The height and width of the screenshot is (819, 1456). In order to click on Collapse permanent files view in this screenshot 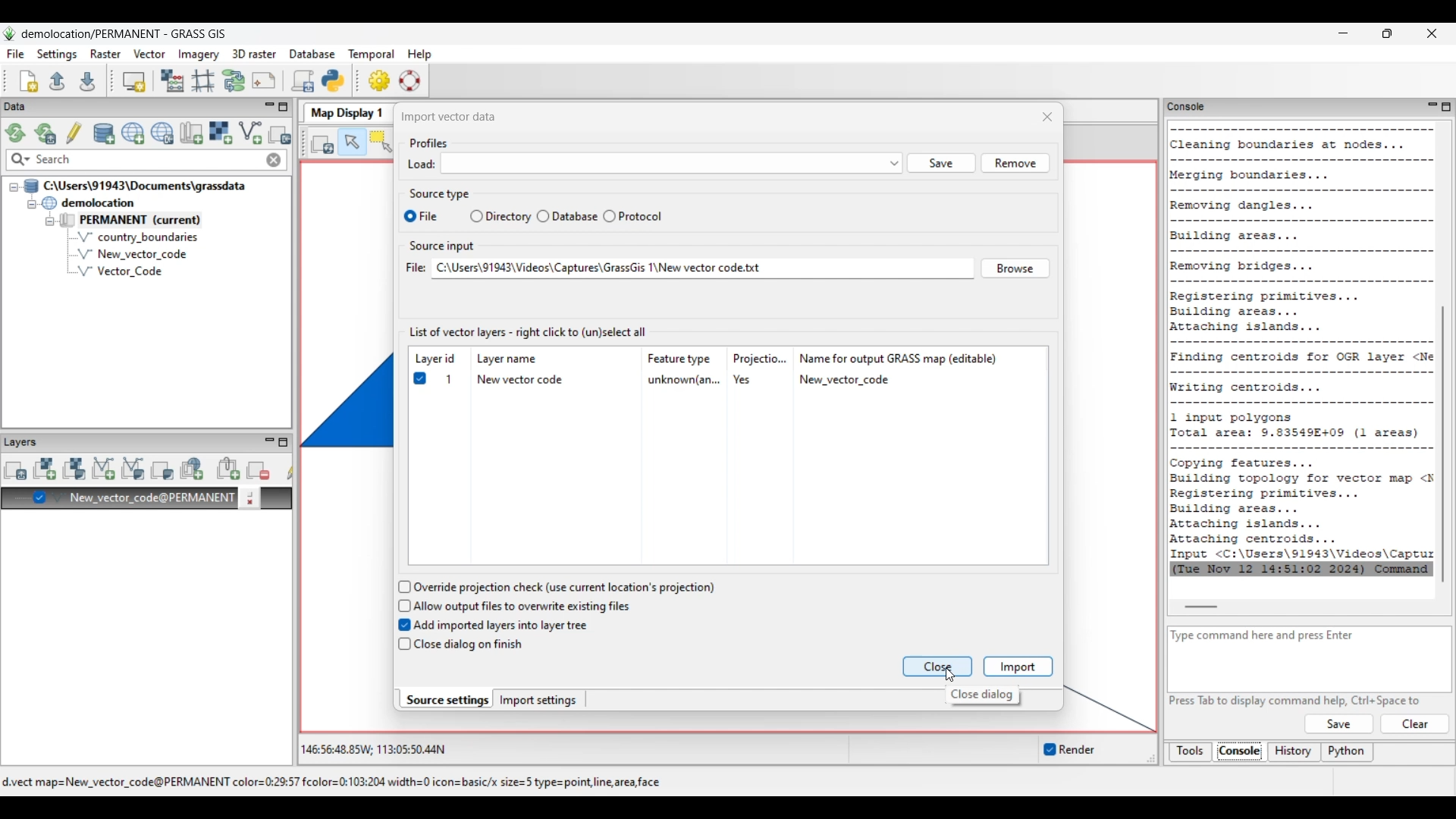, I will do `click(50, 221)`.